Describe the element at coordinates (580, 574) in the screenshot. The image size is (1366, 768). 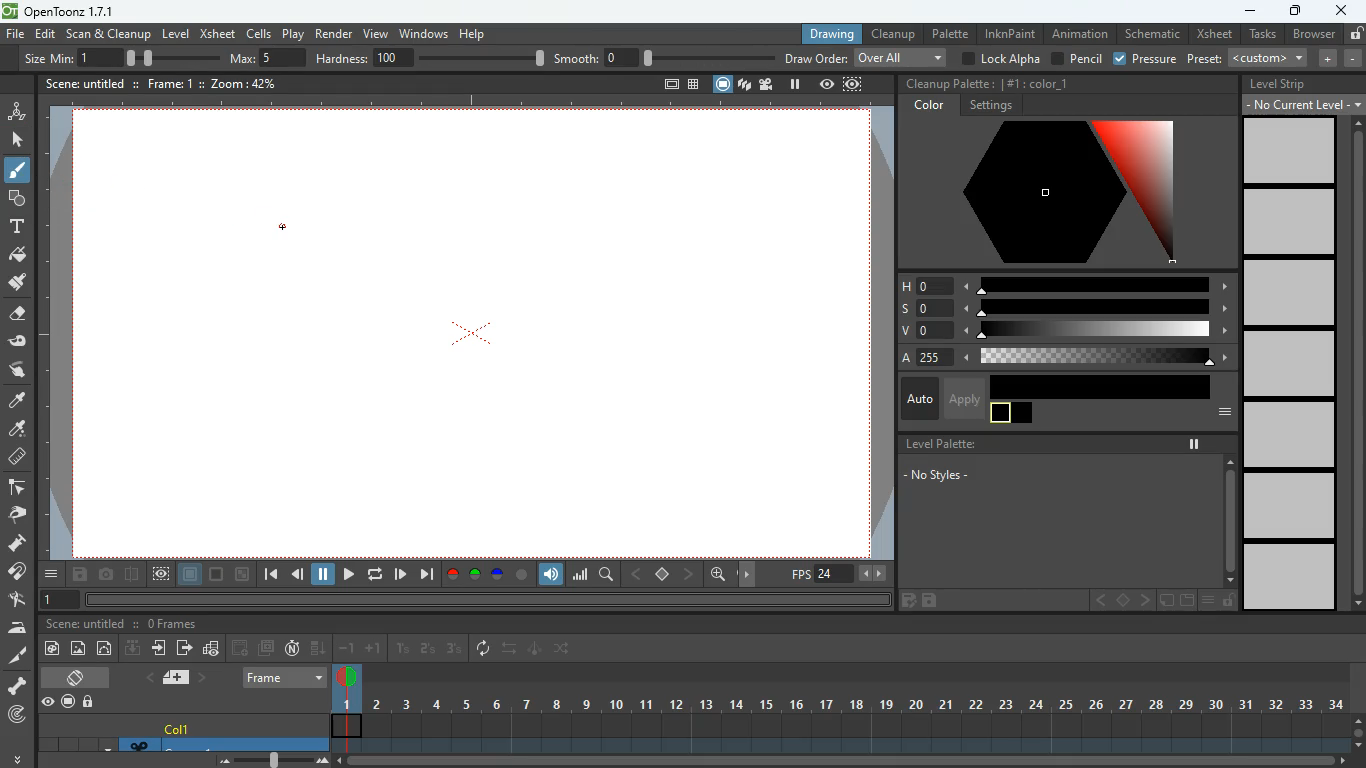
I see `graph` at that location.